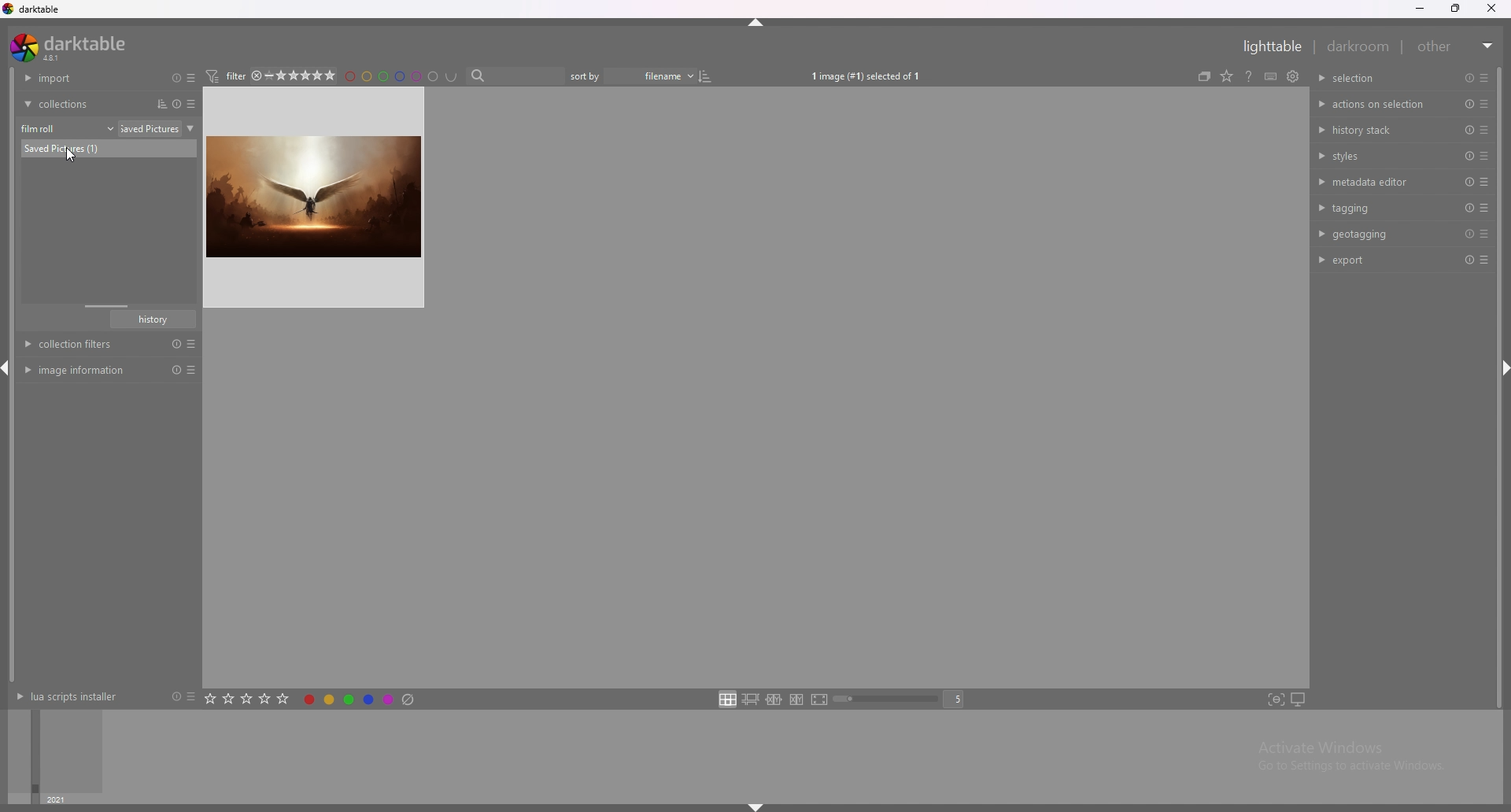  Describe the element at coordinates (1457, 46) in the screenshot. I see `other` at that location.